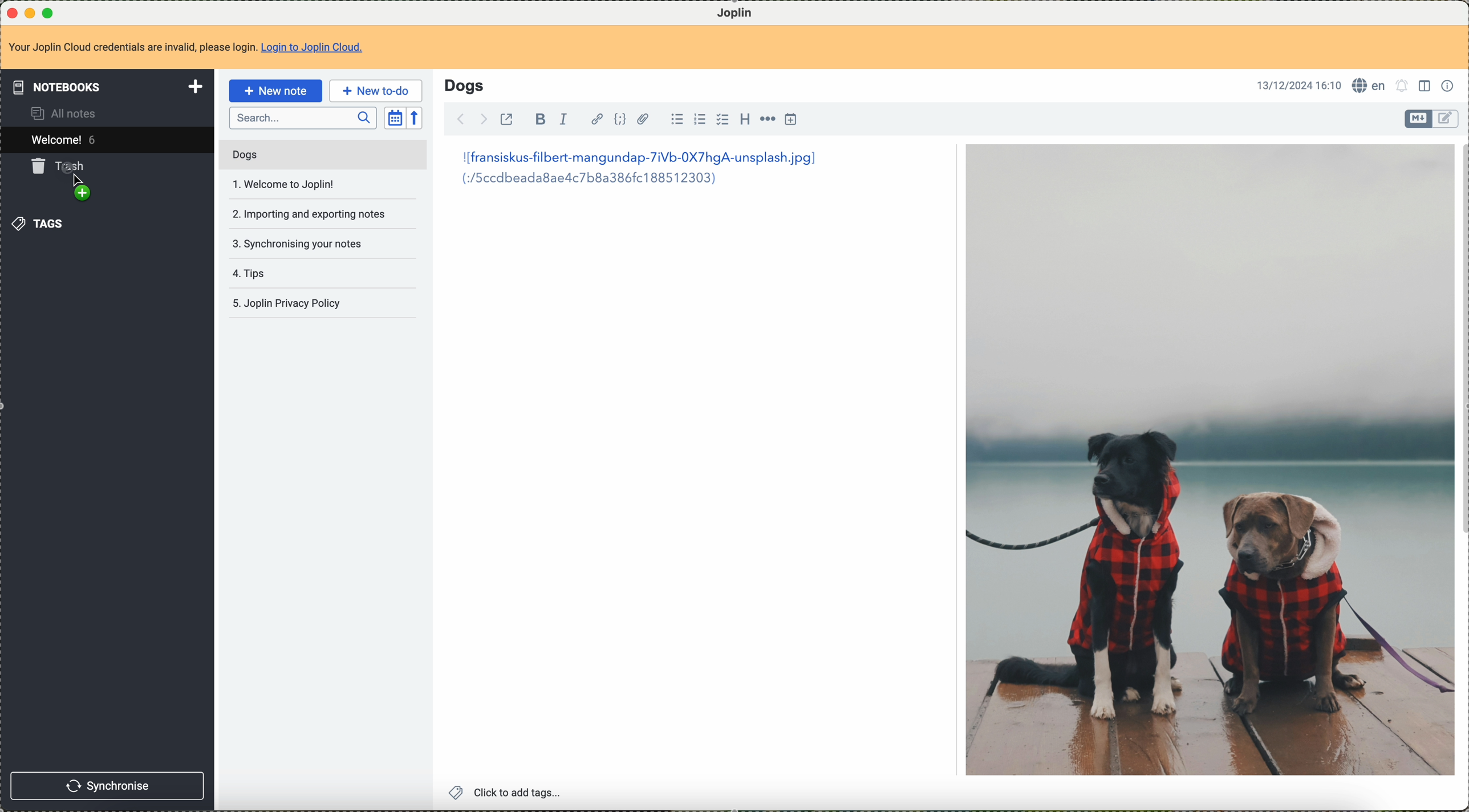 This screenshot has height=812, width=1469. Describe the element at coordinates (1460, 337) in the screenshot. I see `scroll bar` at that location.